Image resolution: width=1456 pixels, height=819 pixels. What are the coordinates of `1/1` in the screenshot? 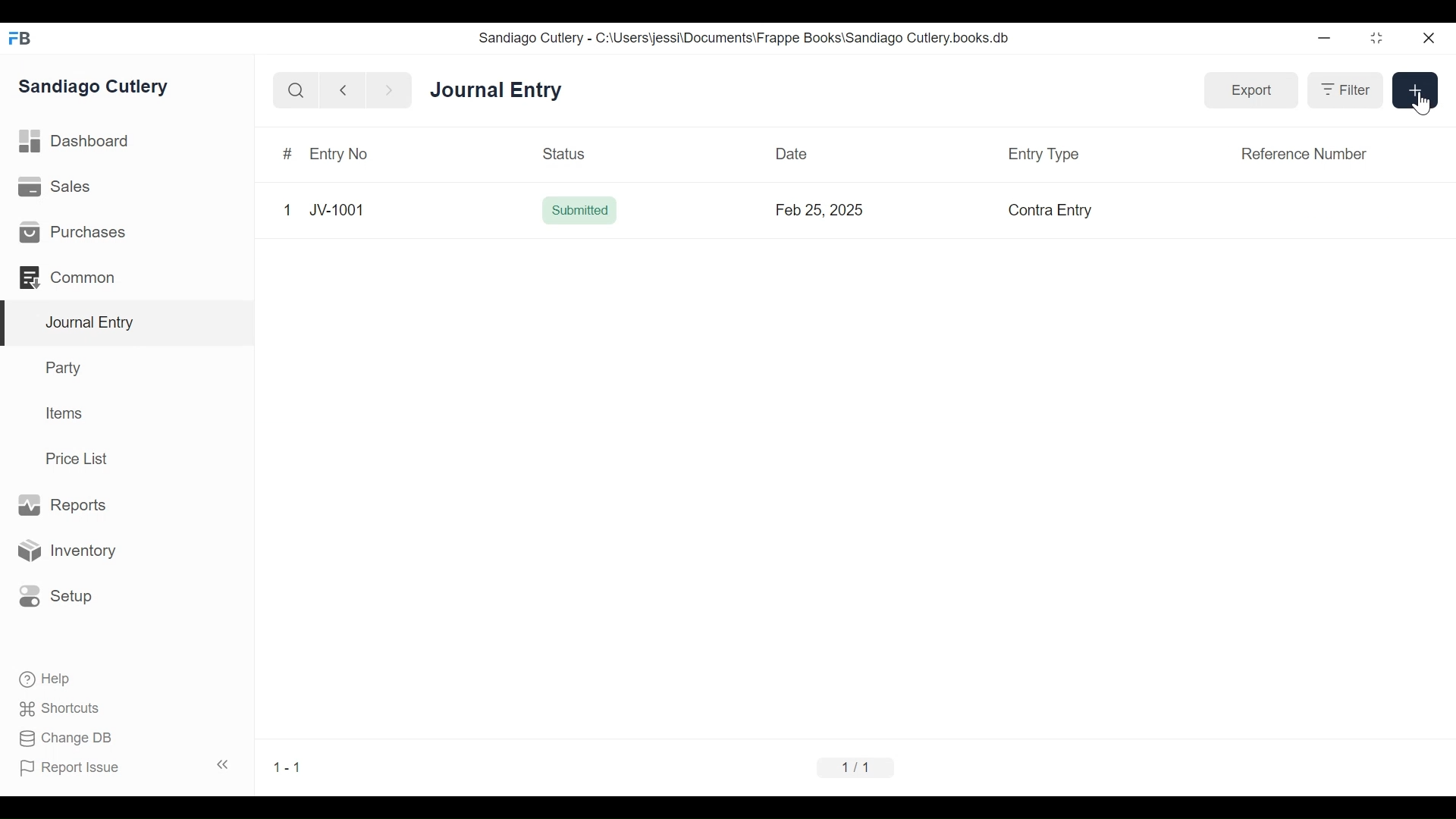 It's located at (854, 769).